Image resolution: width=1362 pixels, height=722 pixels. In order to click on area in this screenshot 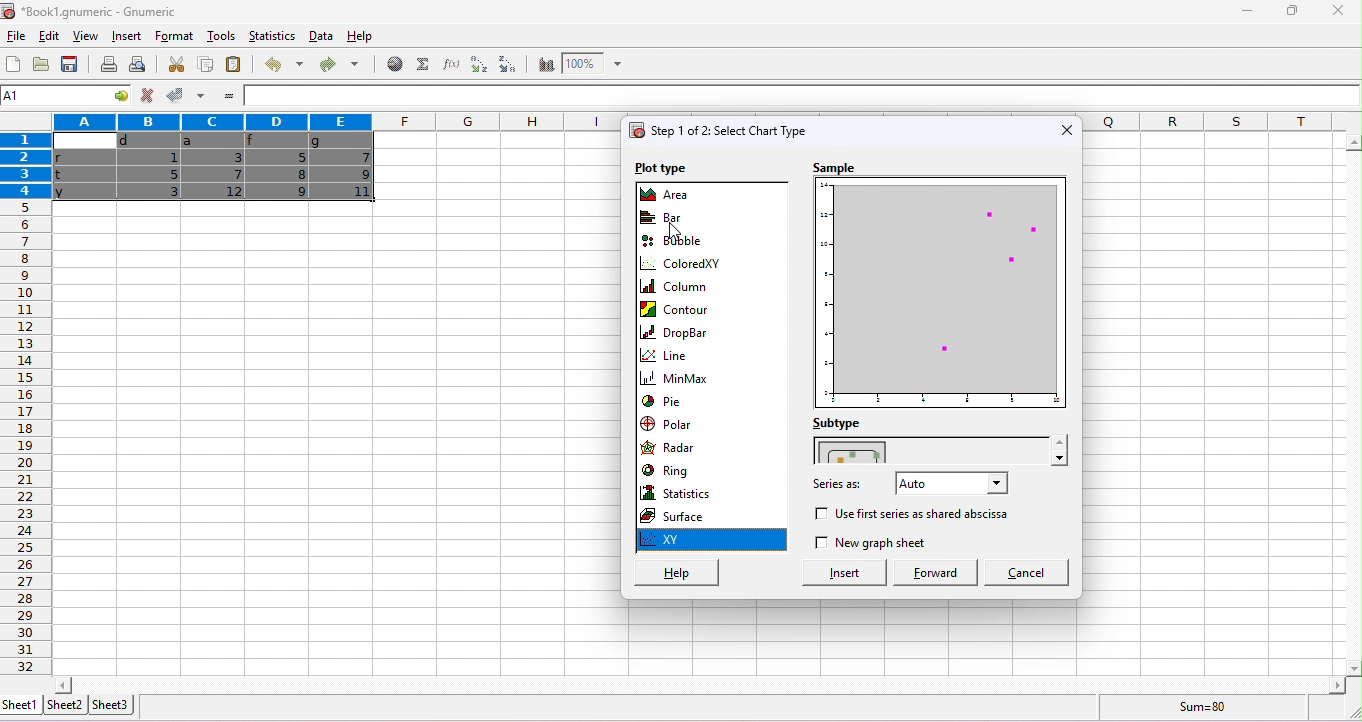, I will do `click(672, 195)`.